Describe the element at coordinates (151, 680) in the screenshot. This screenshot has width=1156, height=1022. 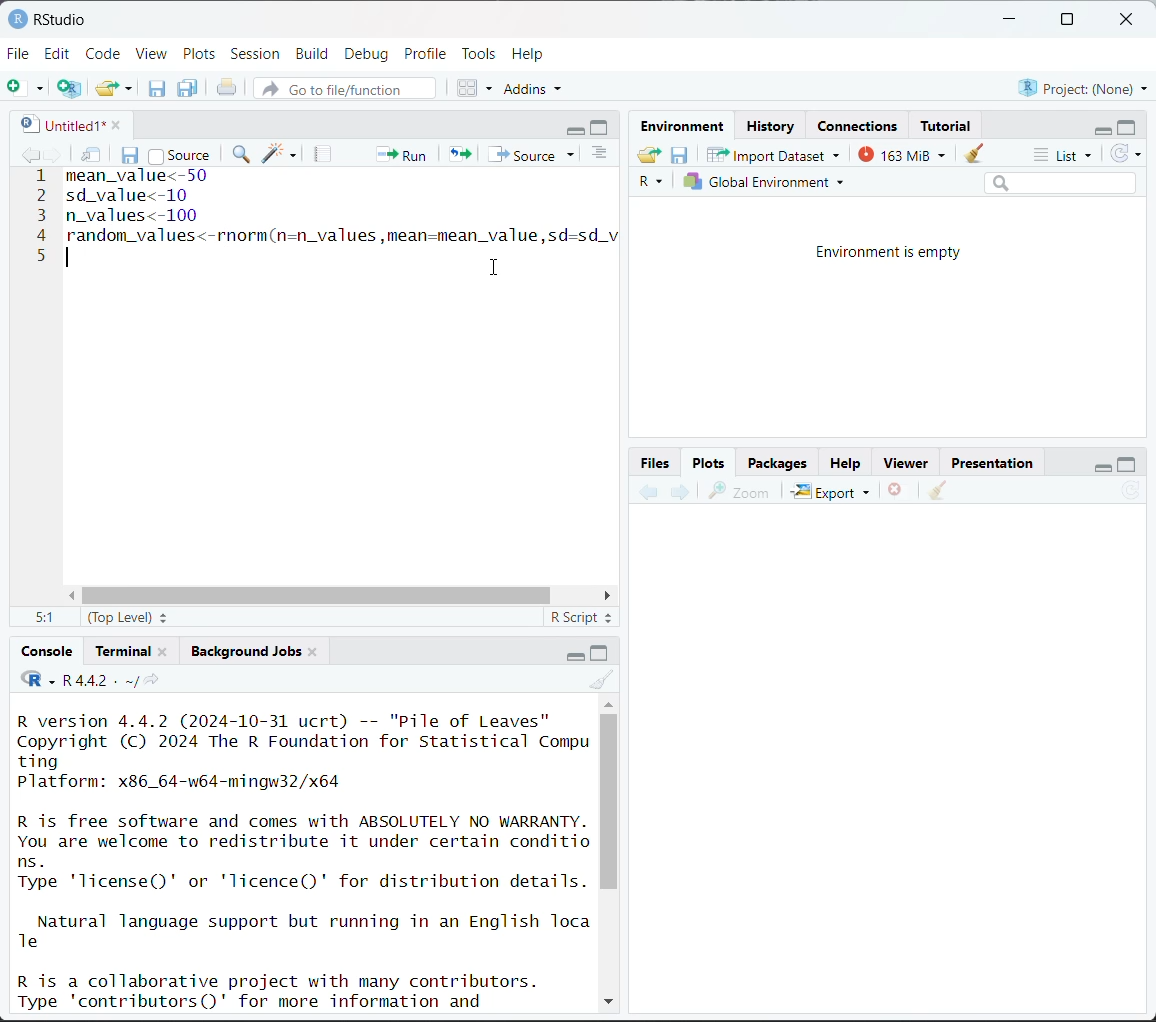
I see `view the current working directory` at that location.